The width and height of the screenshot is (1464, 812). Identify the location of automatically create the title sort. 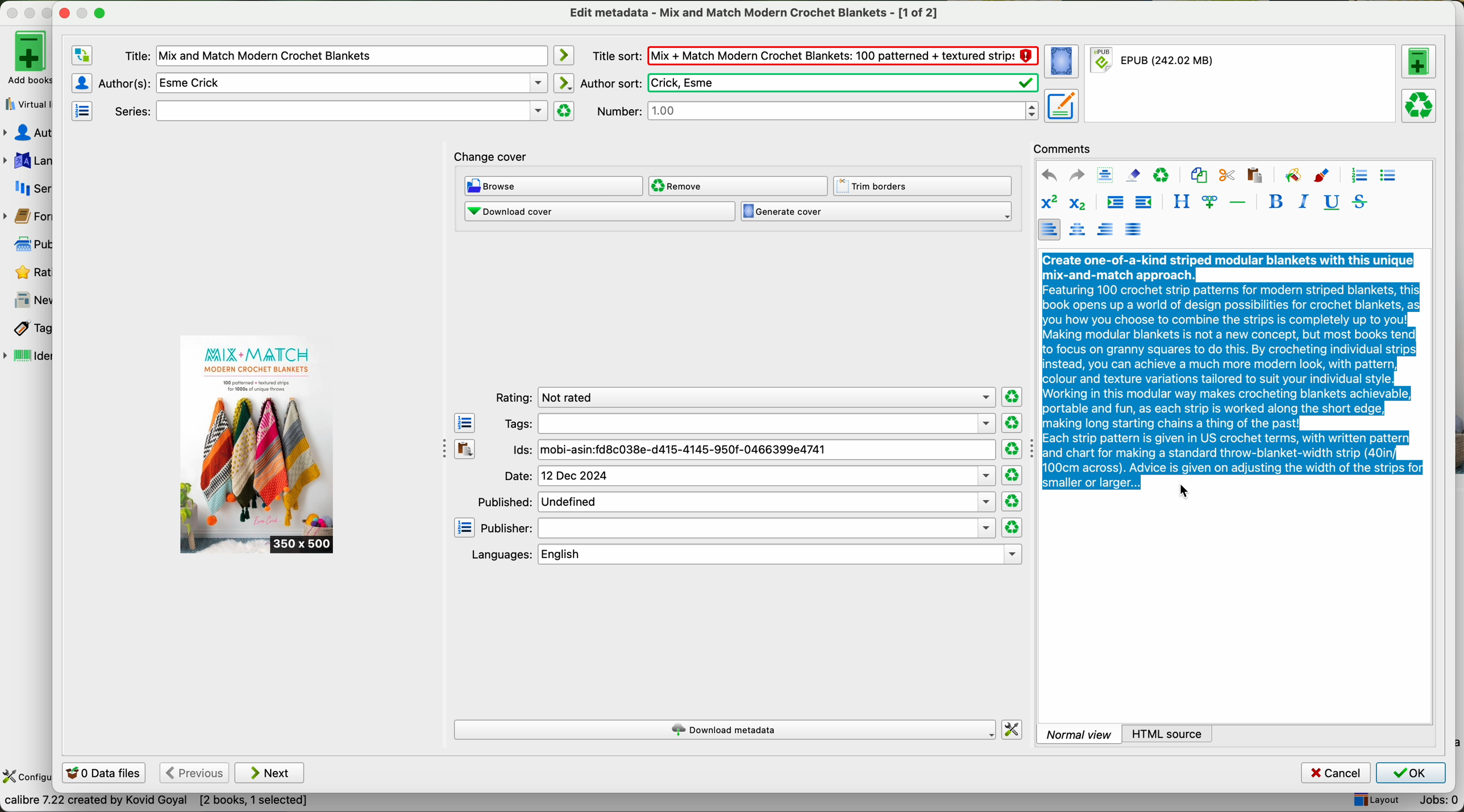
(563, 56).